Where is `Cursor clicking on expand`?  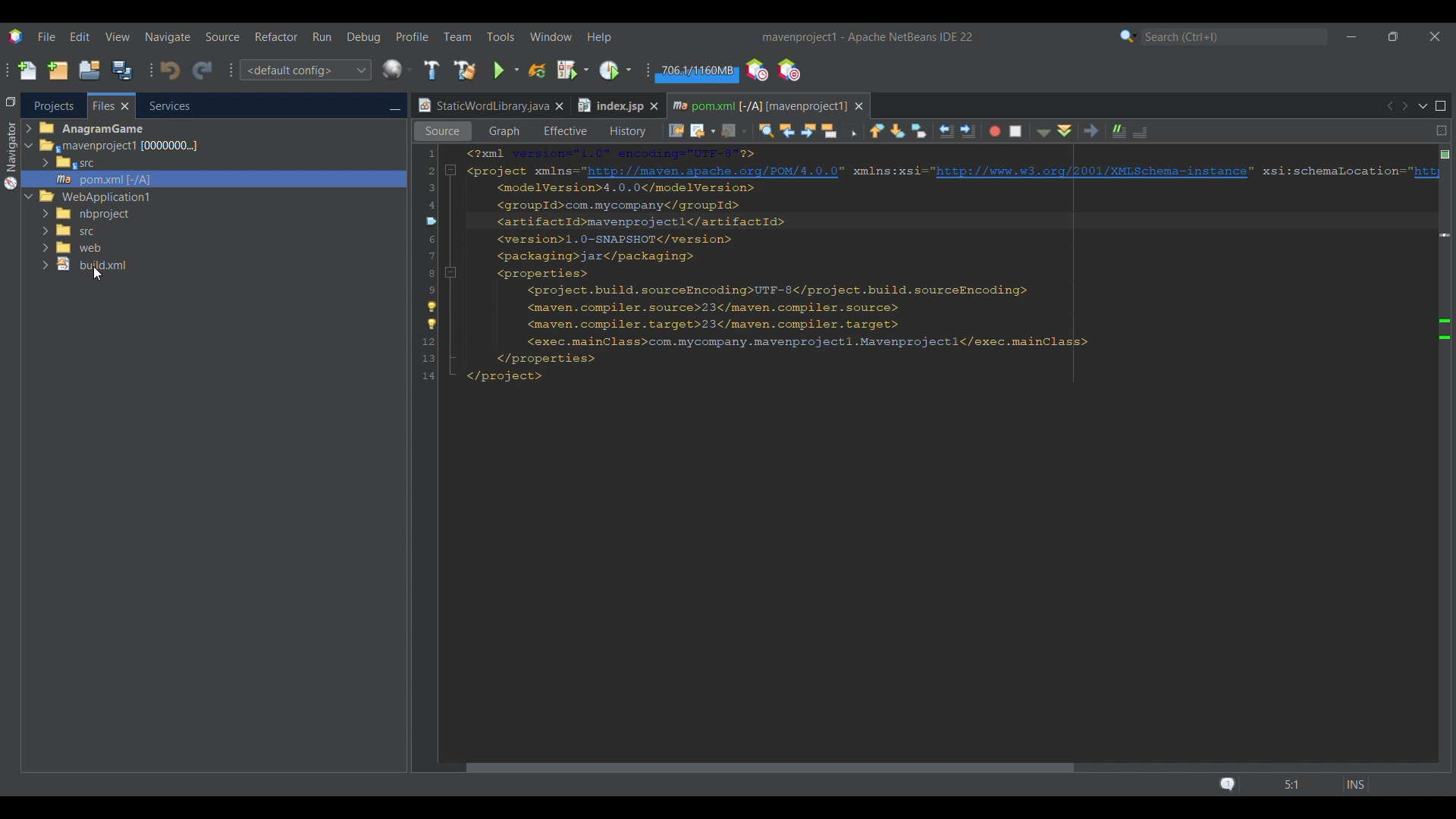 Cursor clicking on expand is located at coordinates (33, 202).